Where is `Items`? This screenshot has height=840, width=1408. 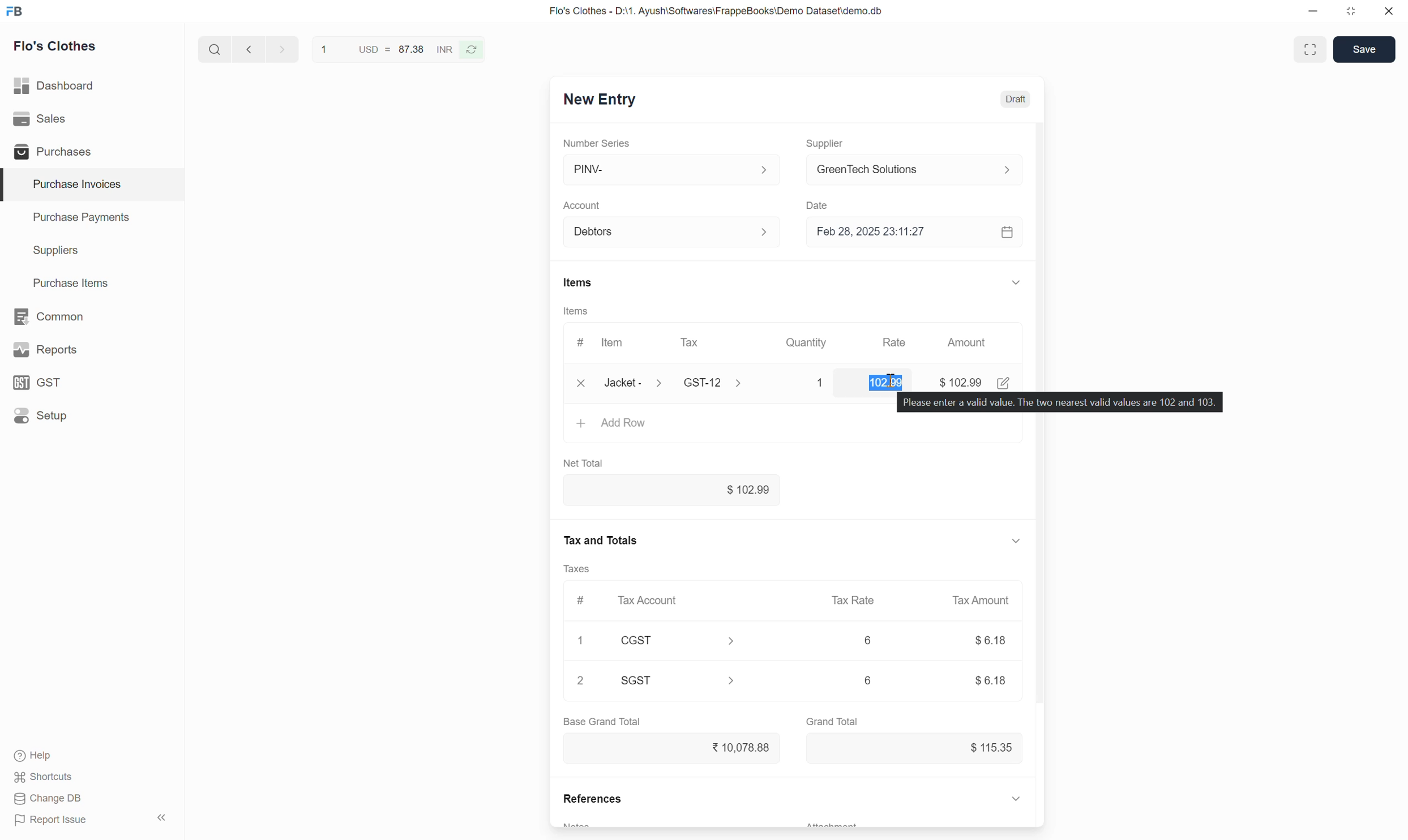 Items is located at coordinates (576, 311).